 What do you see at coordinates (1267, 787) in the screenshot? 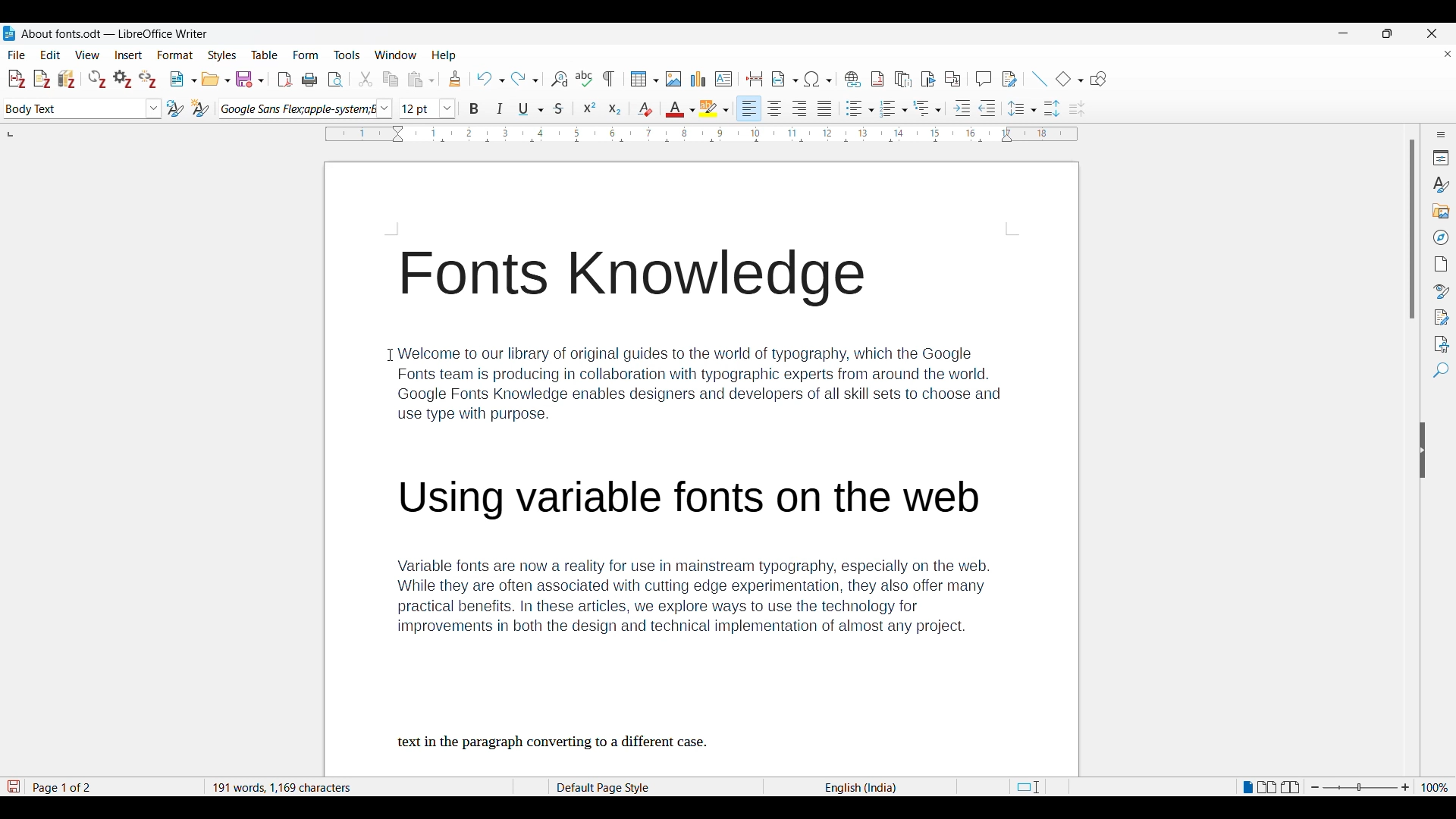
I see `Multiple page view` at bounding box center [1267, 787].